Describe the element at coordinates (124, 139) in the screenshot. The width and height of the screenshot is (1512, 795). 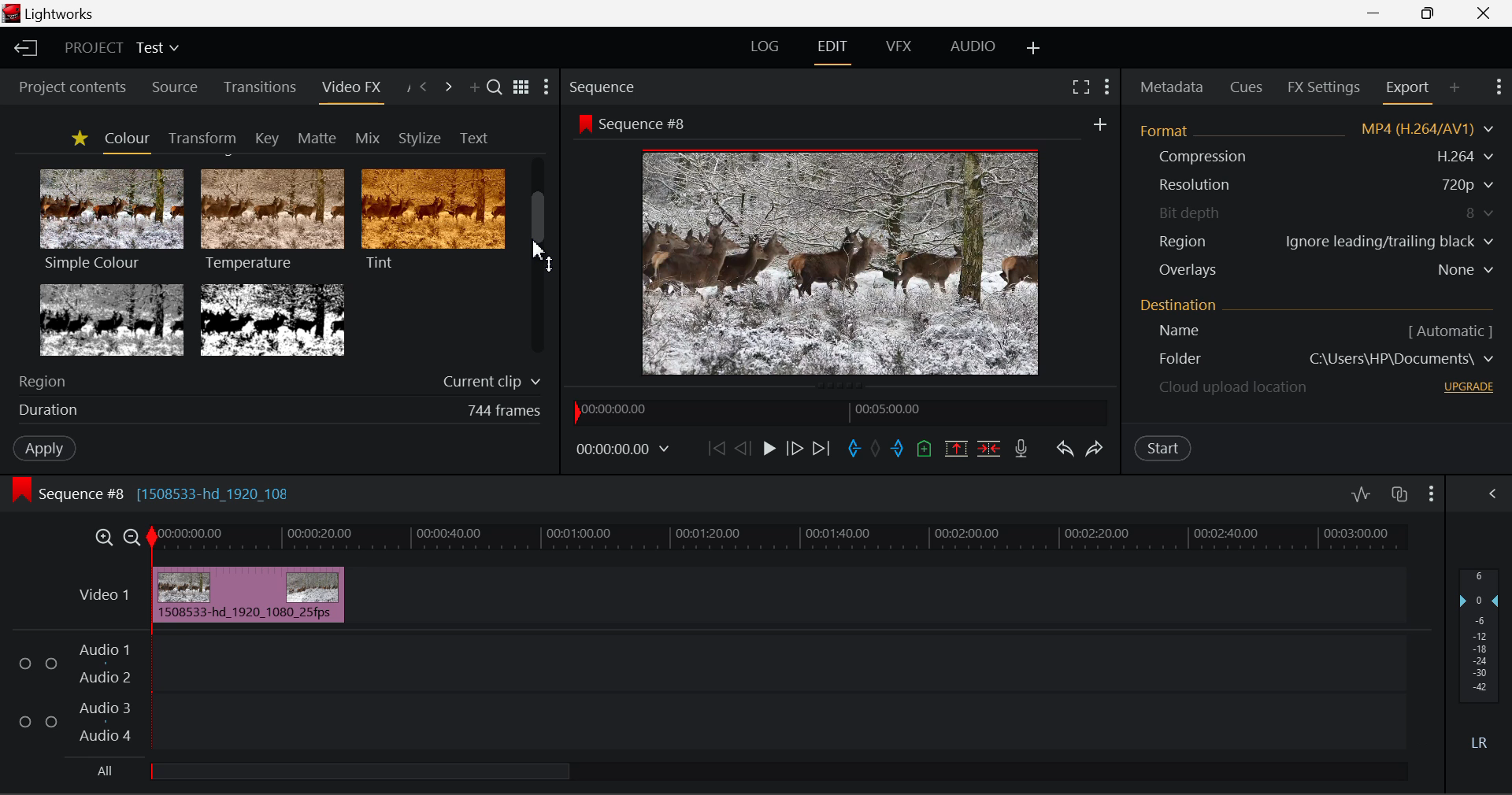
I see `Colour` at that location.